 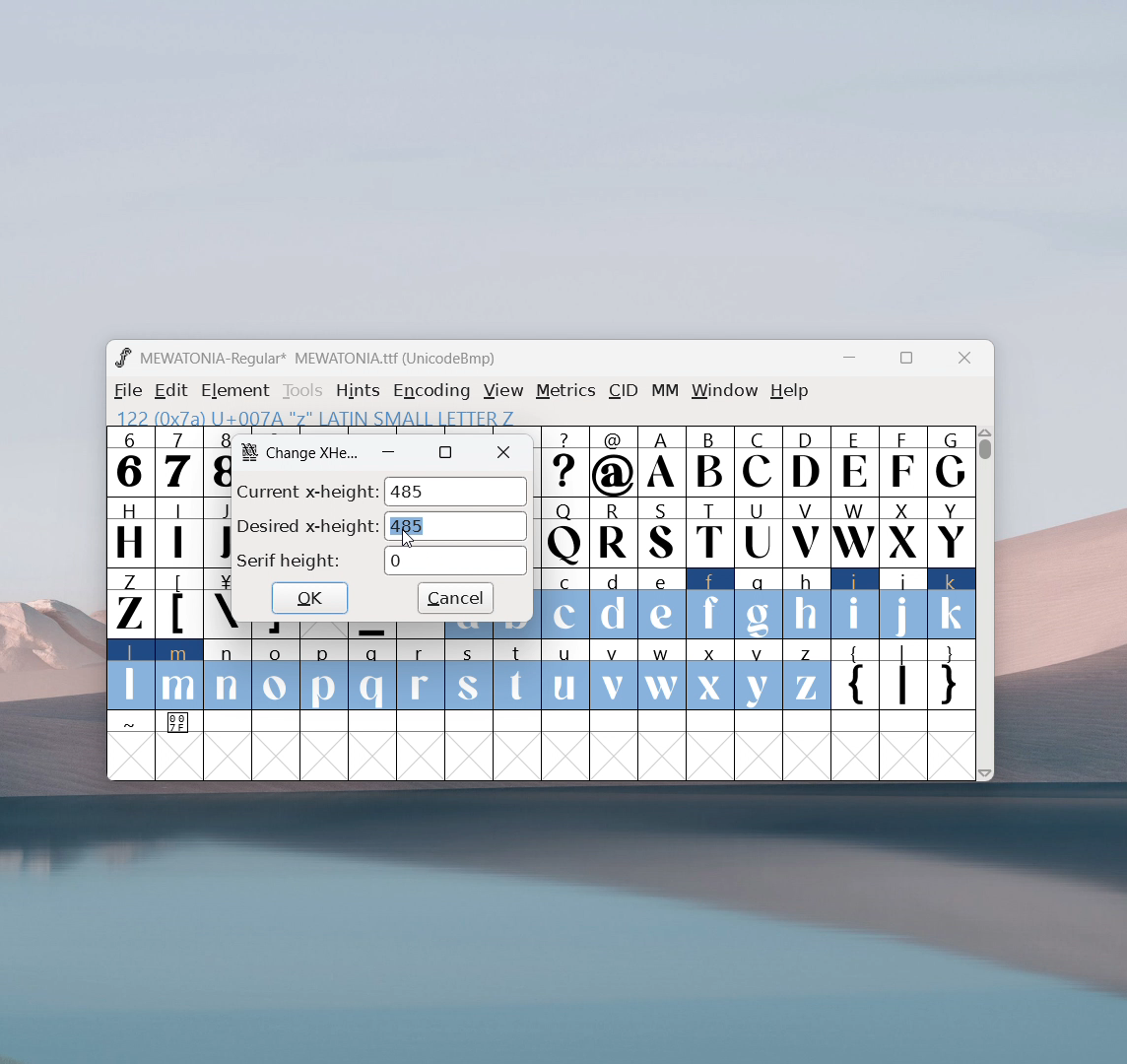 What do you see at coordinates (217, 530) in the screenshot?
I see `J` at bounding box center [217, 530].